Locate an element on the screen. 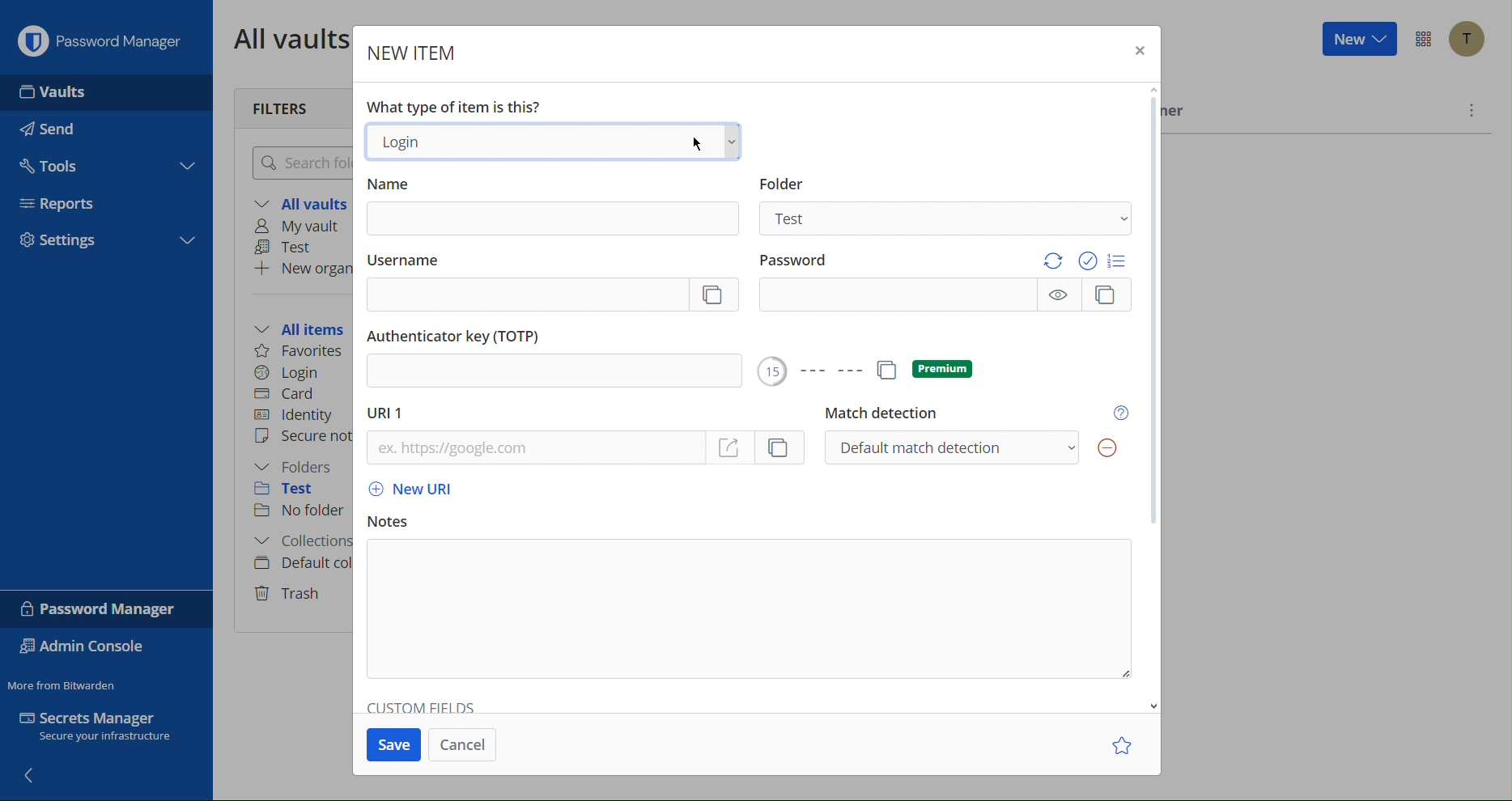  Close is located at coordinates (1140, 53).